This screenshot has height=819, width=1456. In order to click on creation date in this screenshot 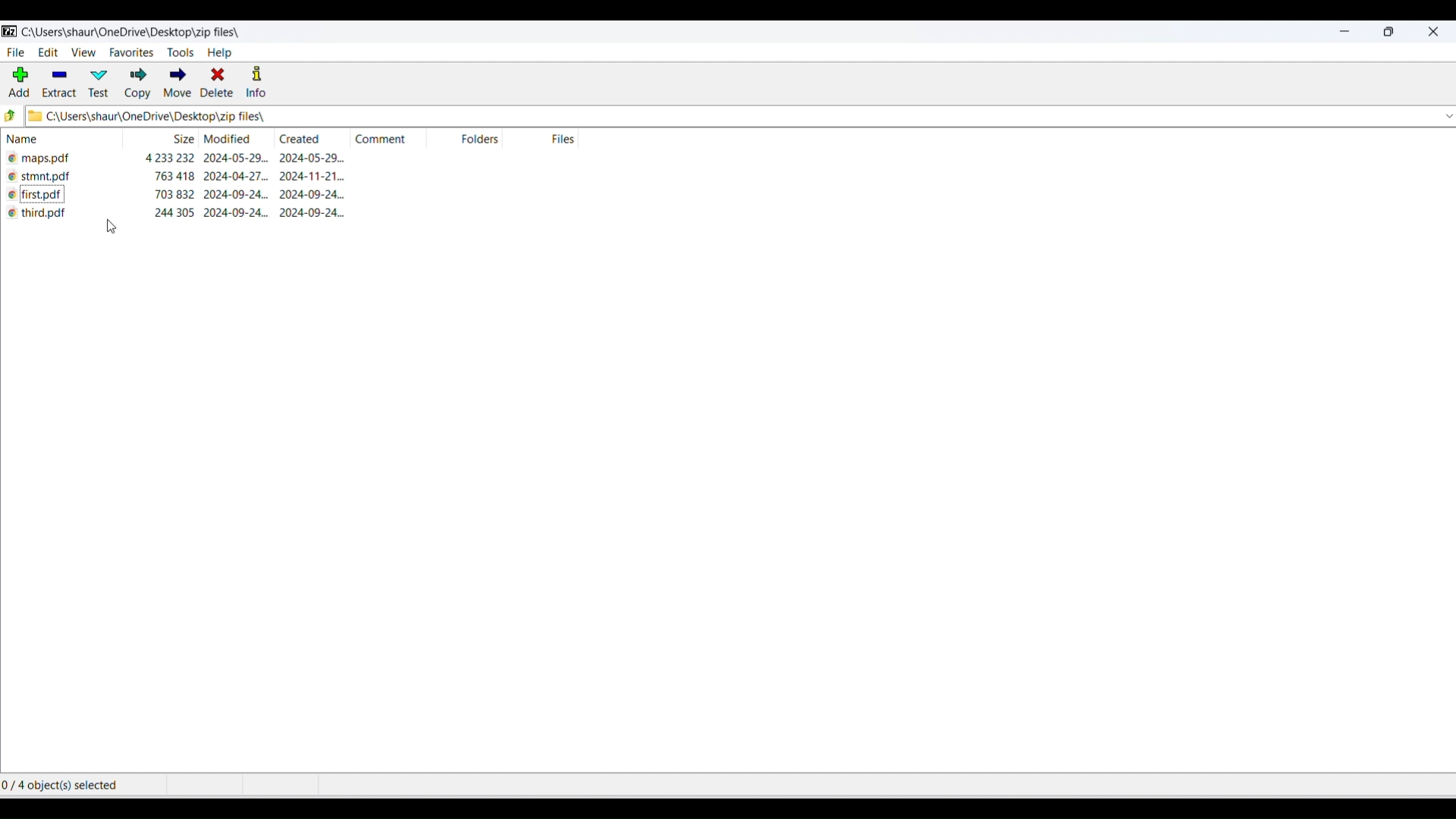, I will do `click(312, 196)`.